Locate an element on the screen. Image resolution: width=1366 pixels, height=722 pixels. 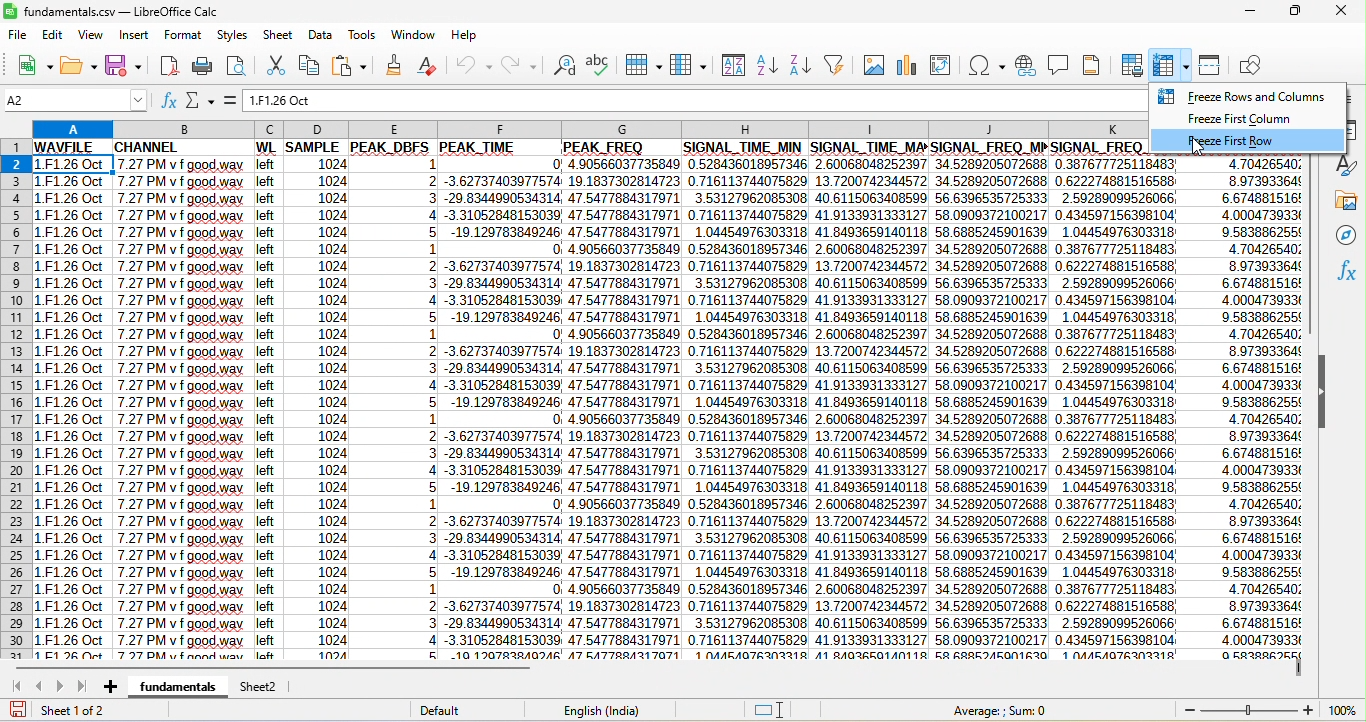
standard selection is located at coordinates (778, 707).